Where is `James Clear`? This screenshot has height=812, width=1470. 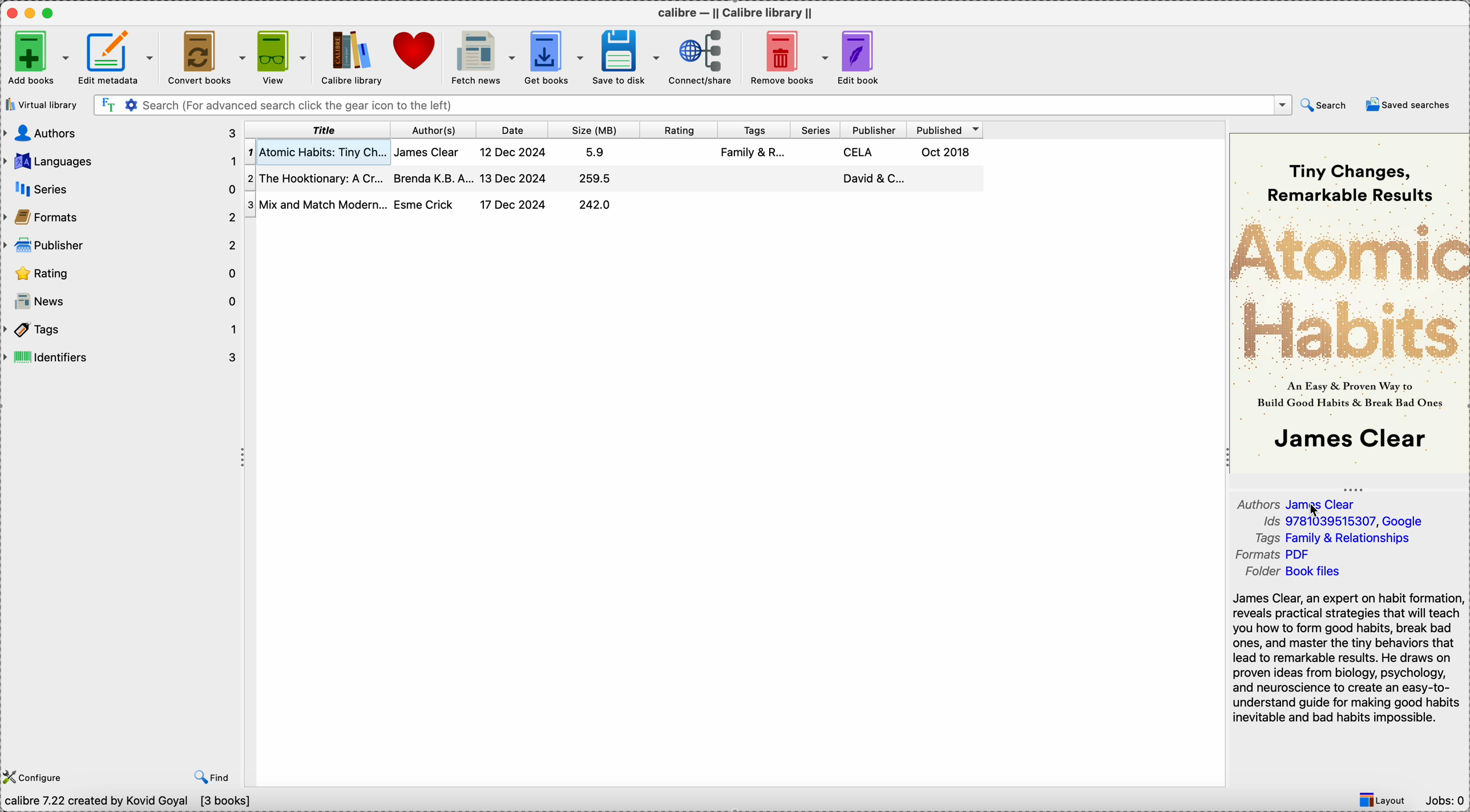
James Clear is located at coordinates (428, 153).